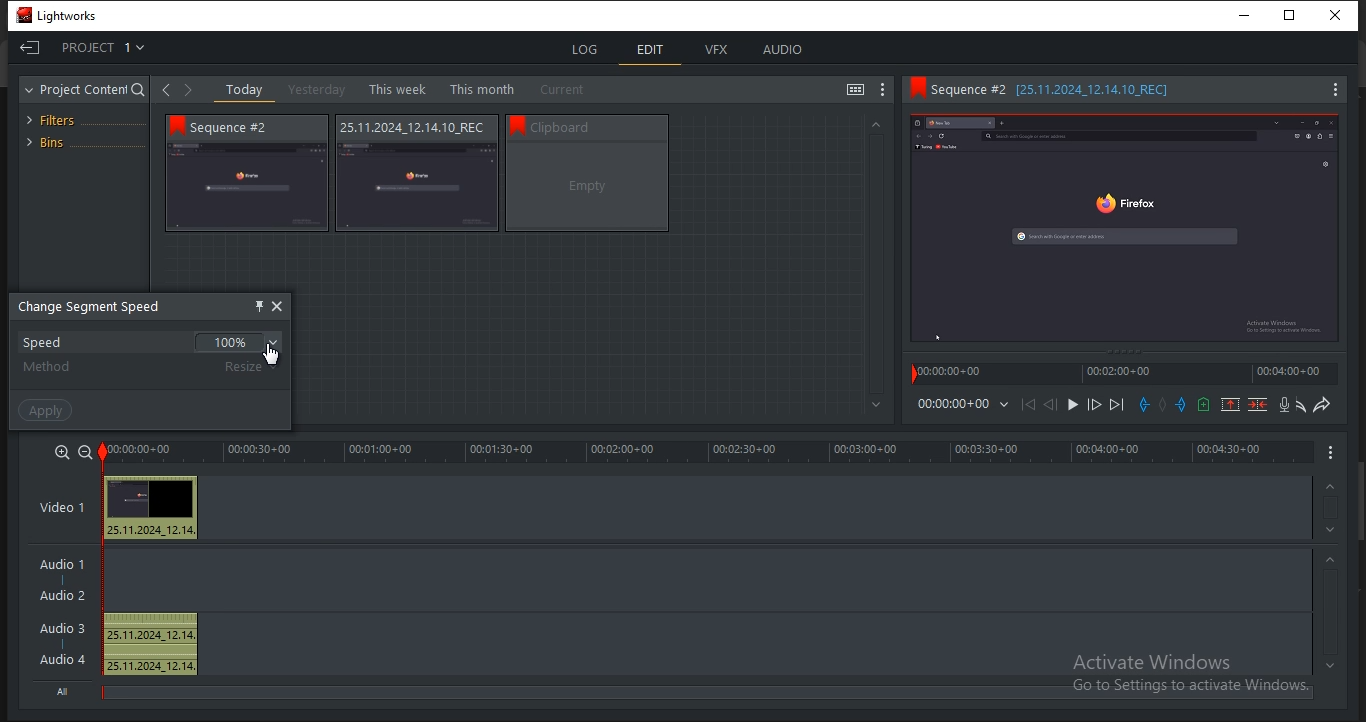 This screenshot has height=722, width=1366. I want to click on Bookmark, so click(916, 90).